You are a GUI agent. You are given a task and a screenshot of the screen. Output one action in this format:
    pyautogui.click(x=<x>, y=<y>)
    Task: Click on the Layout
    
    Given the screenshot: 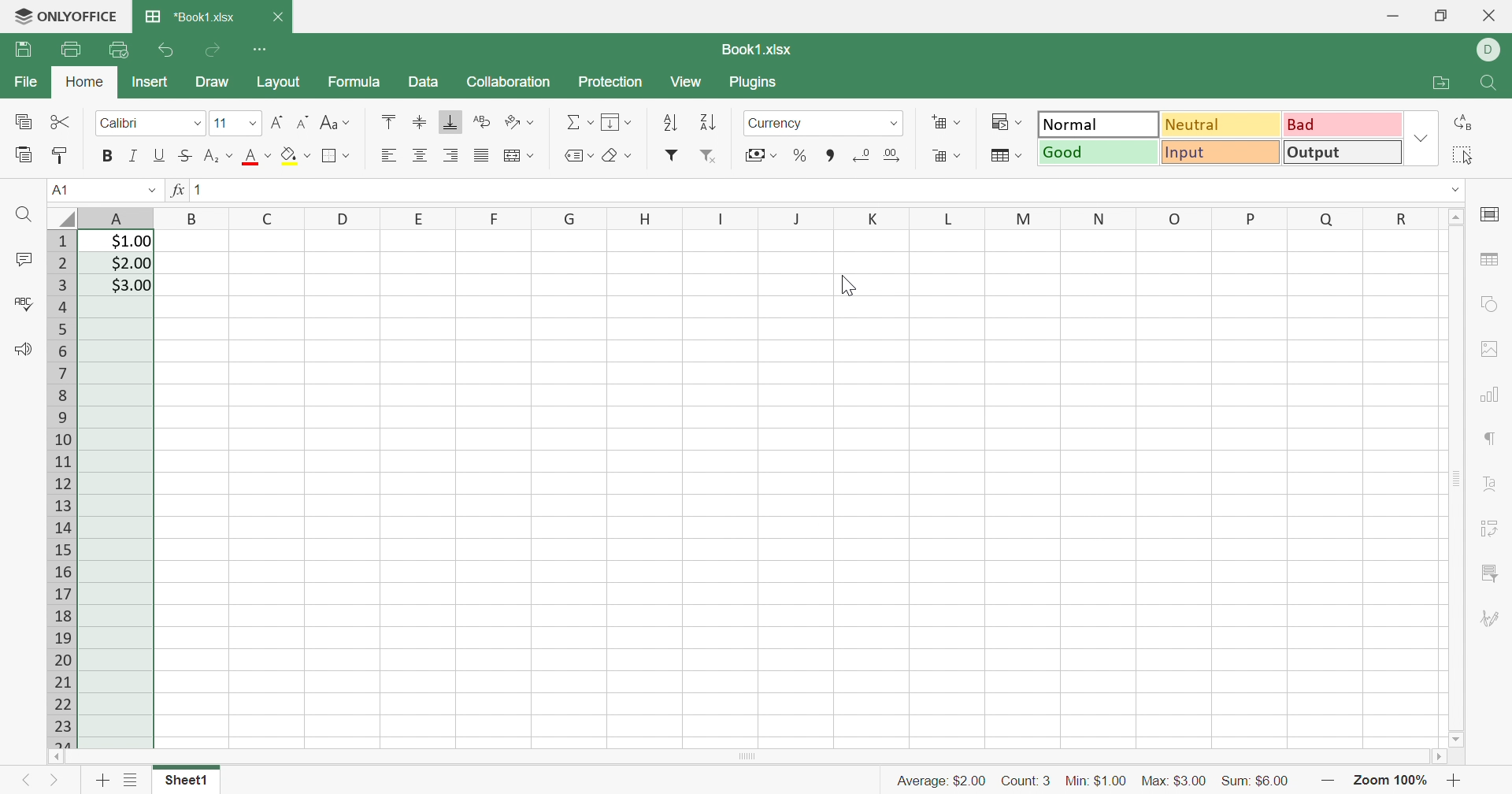 What is the action you would take?
    pyautogui.click(x=278, y=82)
    